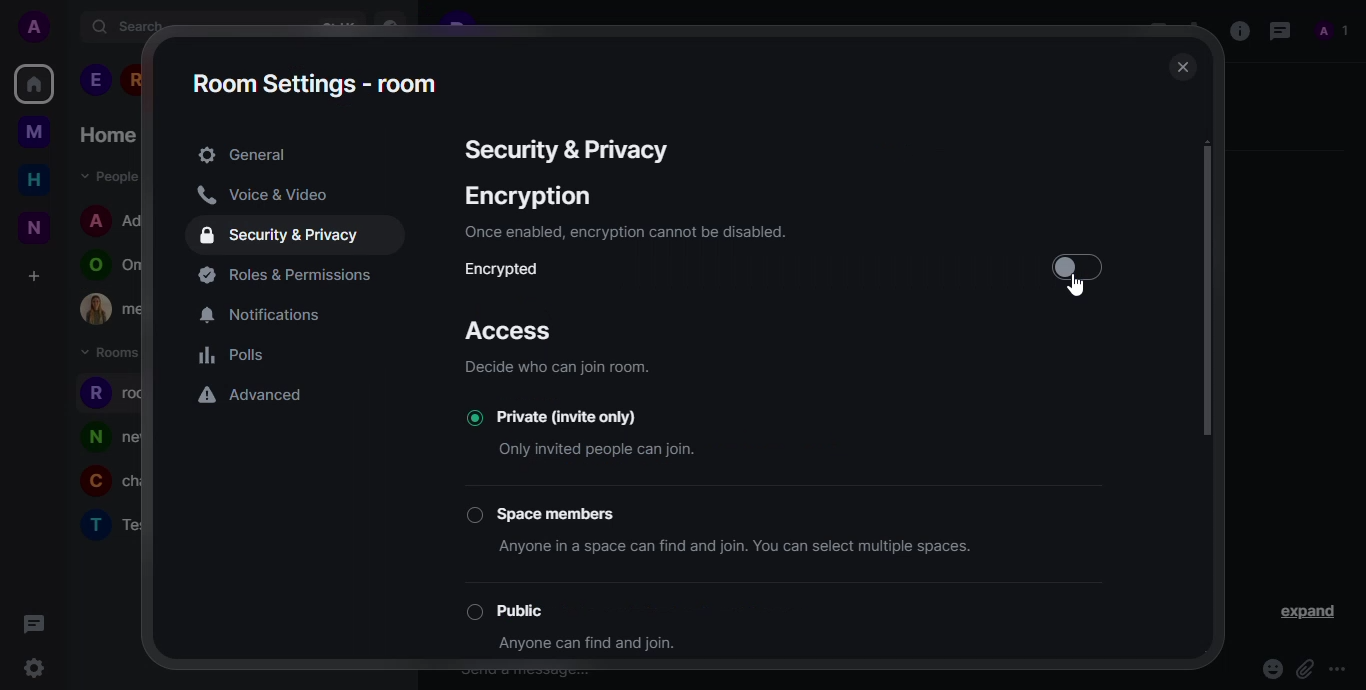 This screenshot has height=690, width=1366. What do you see at coordinates (91, 266) in the screenshot?
I see `profile` at bounding box center [91, 266].